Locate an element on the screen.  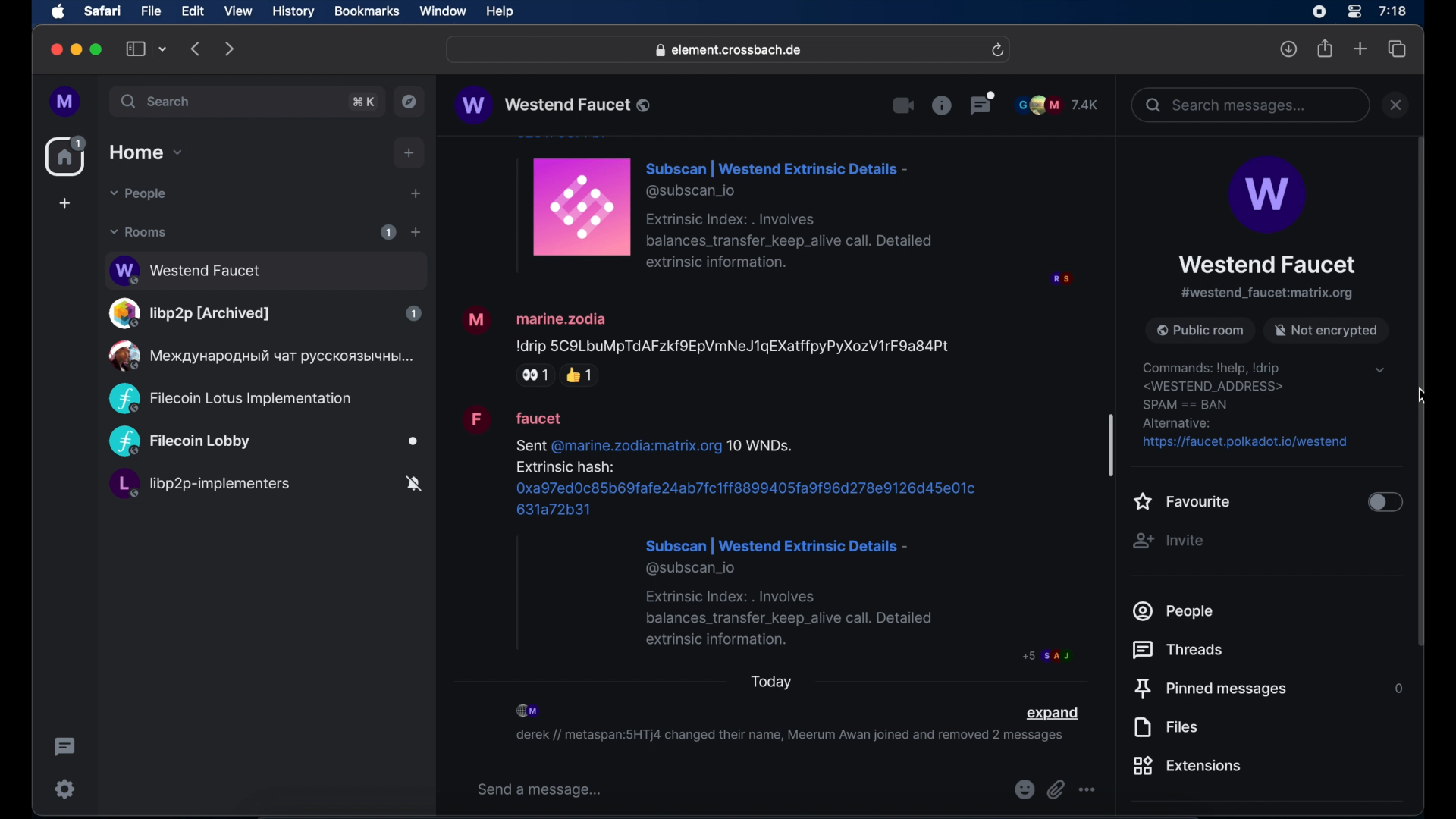
toggle button is located at coordinates (1385, 503).